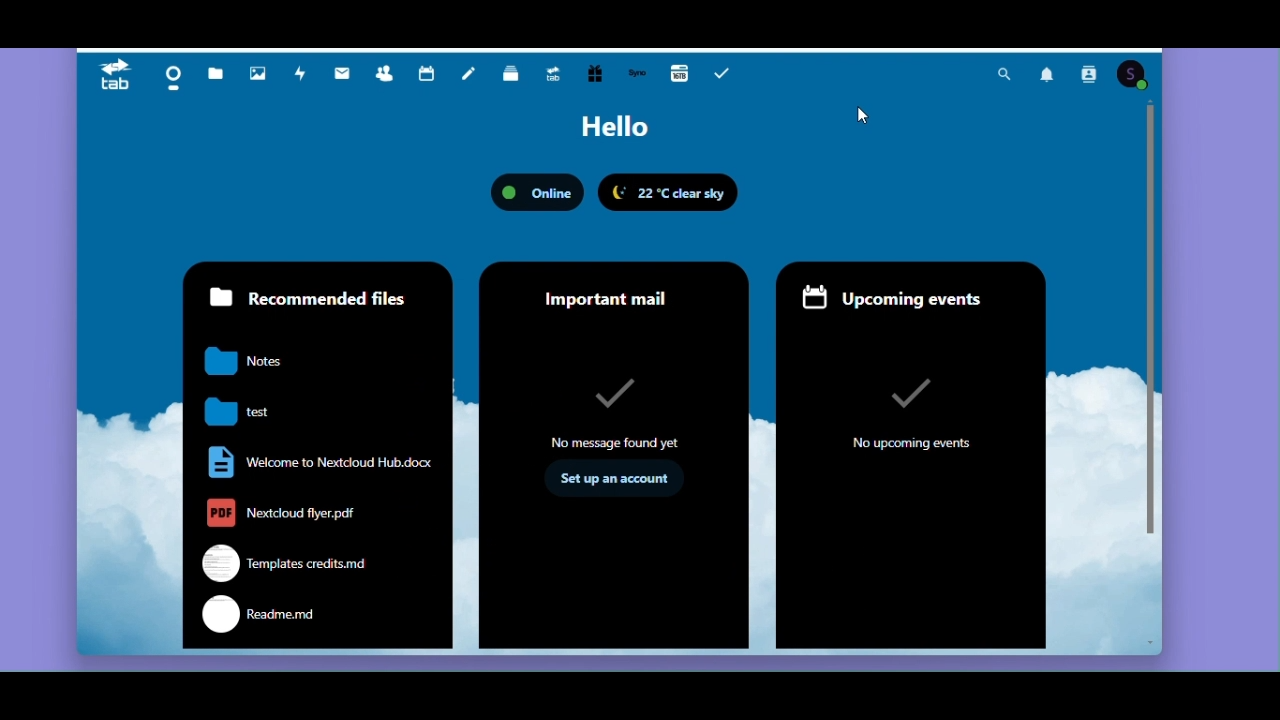 The image size is (1280, 720). Describe the element at coordinates (638, 73) in the screenshot. I see `Synology` at that location.